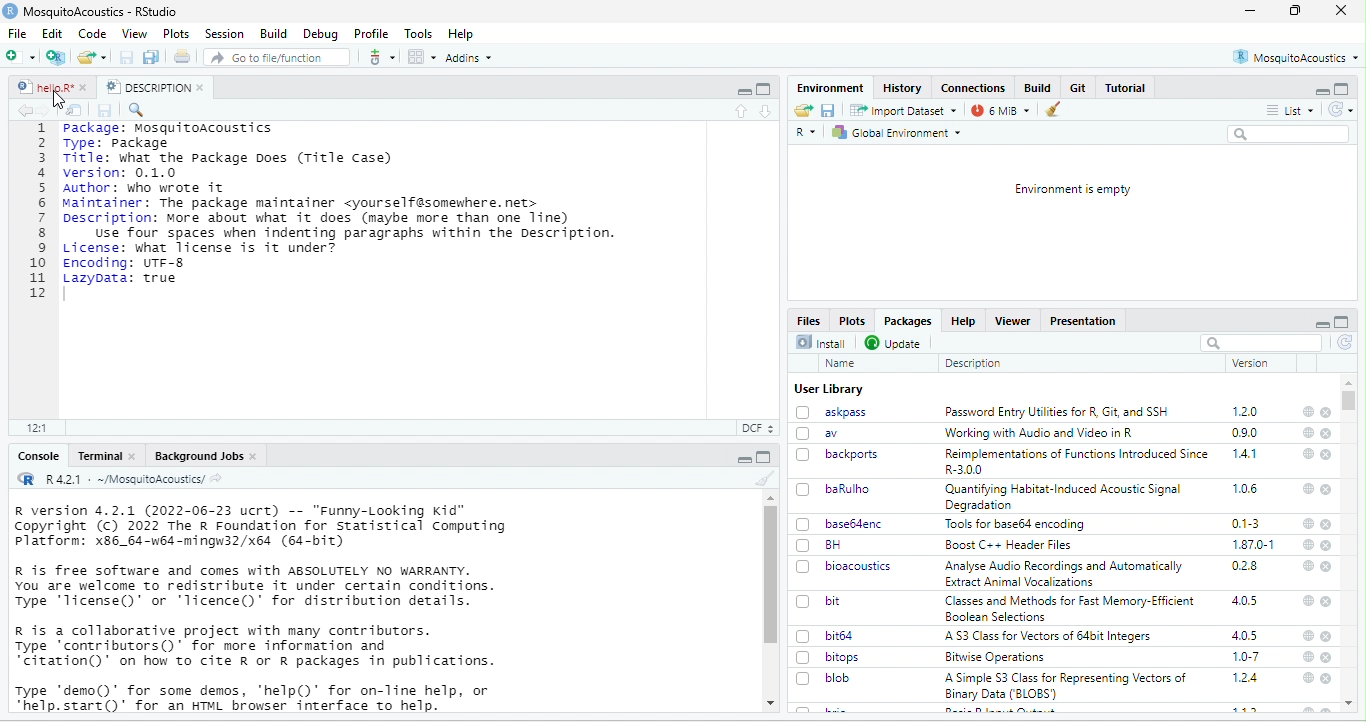 This screenshot has width=1366, height=722. Describe the element at coordinates (743, 89) in the screenshot. I see `maximize` at that location.